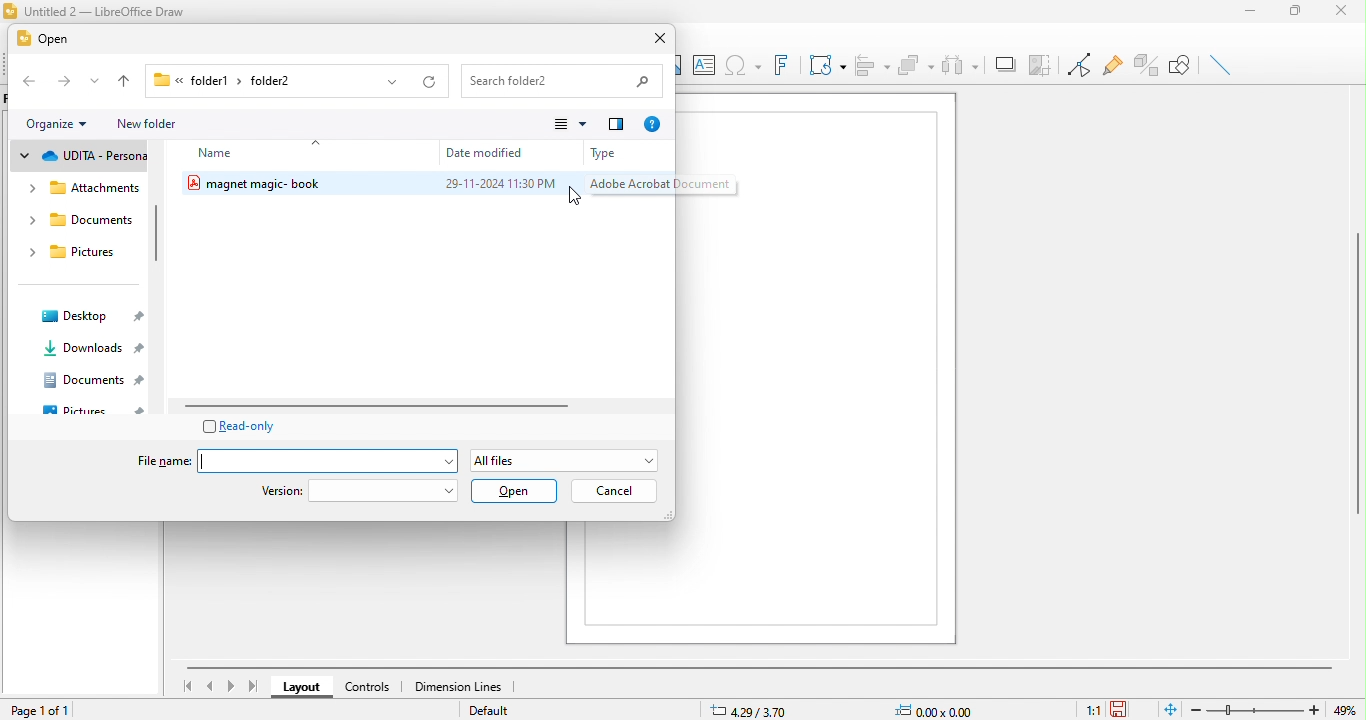 The width and height of the screenshot is (1366, 720). I want to click on help, so click(653, 124).